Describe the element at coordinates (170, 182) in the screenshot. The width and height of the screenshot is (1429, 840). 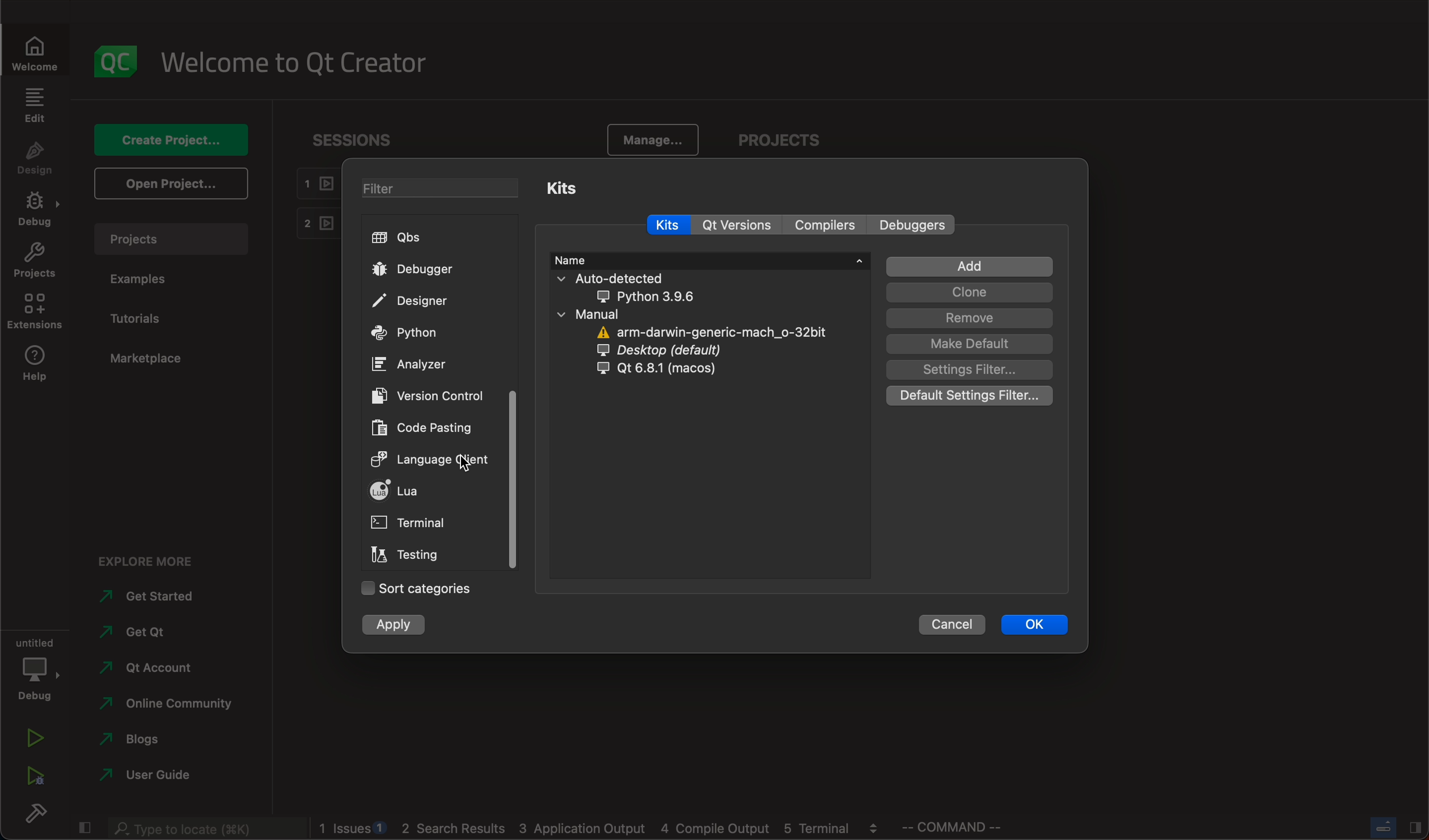
I see `open` at that location.